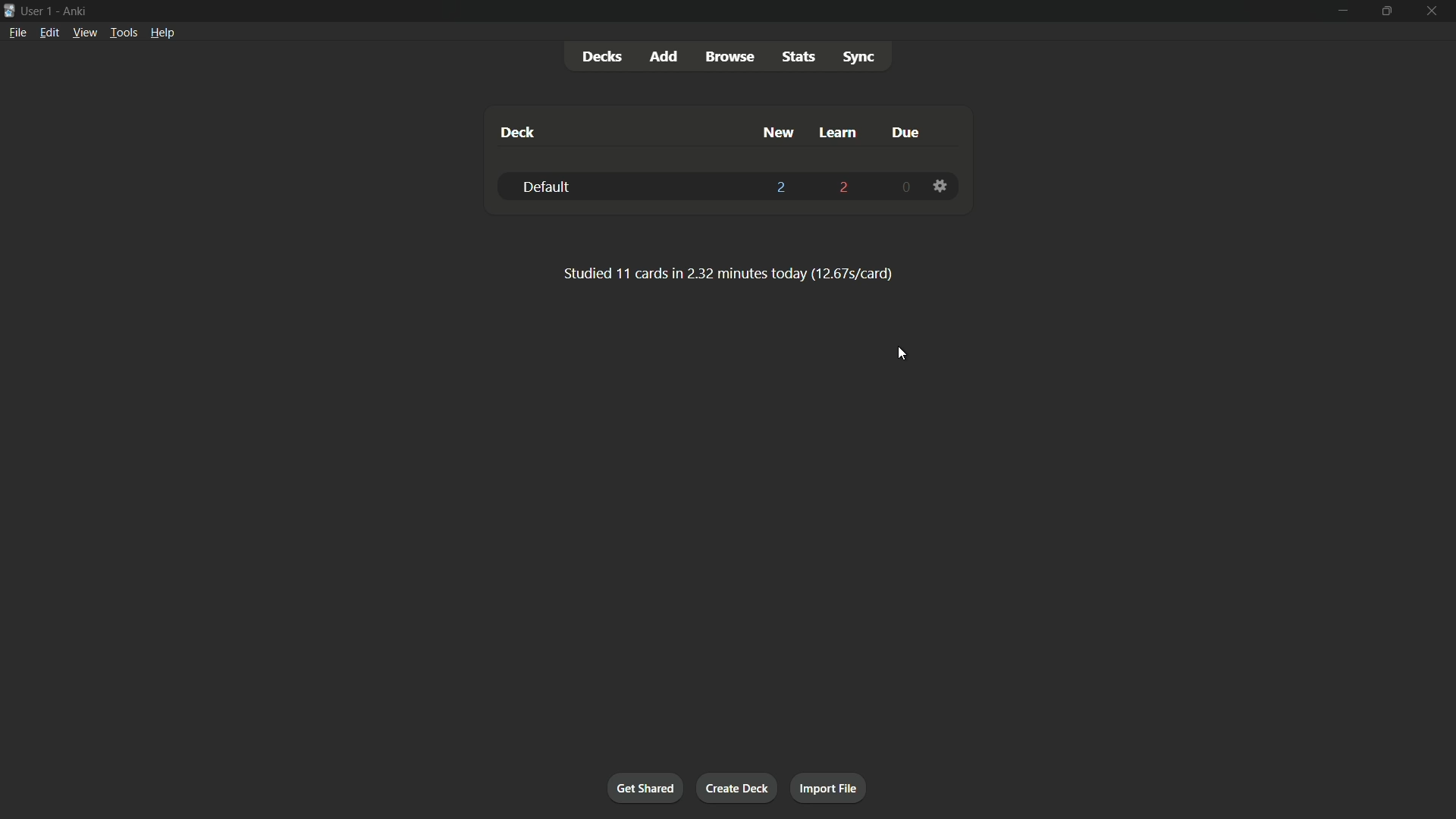  What do you see at coordinates (518, 132) in the screenshot?
I see `deck` at bounding box center [518, 132].